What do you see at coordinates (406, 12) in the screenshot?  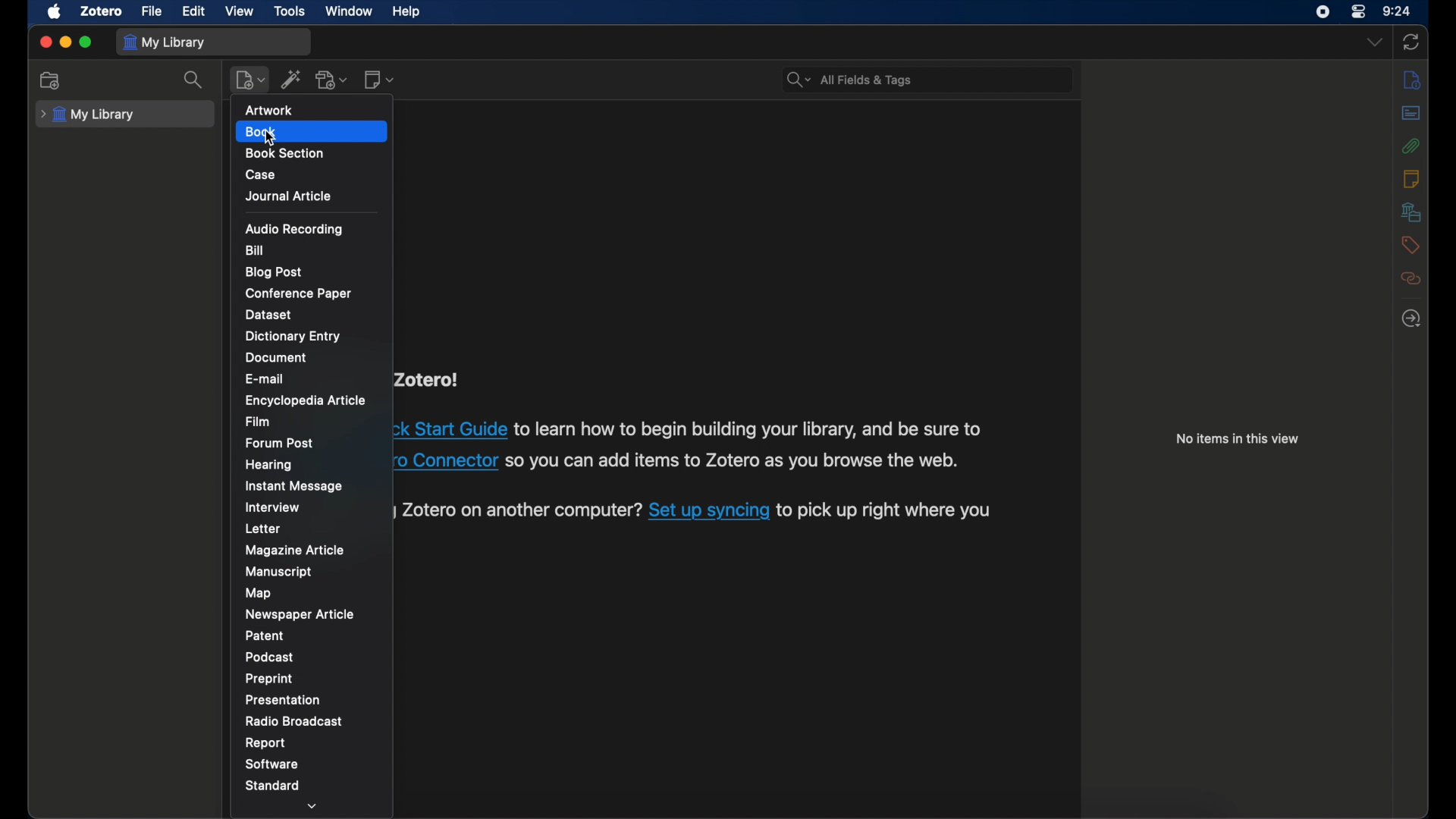 I see `help` at bounding box center [406, 12].